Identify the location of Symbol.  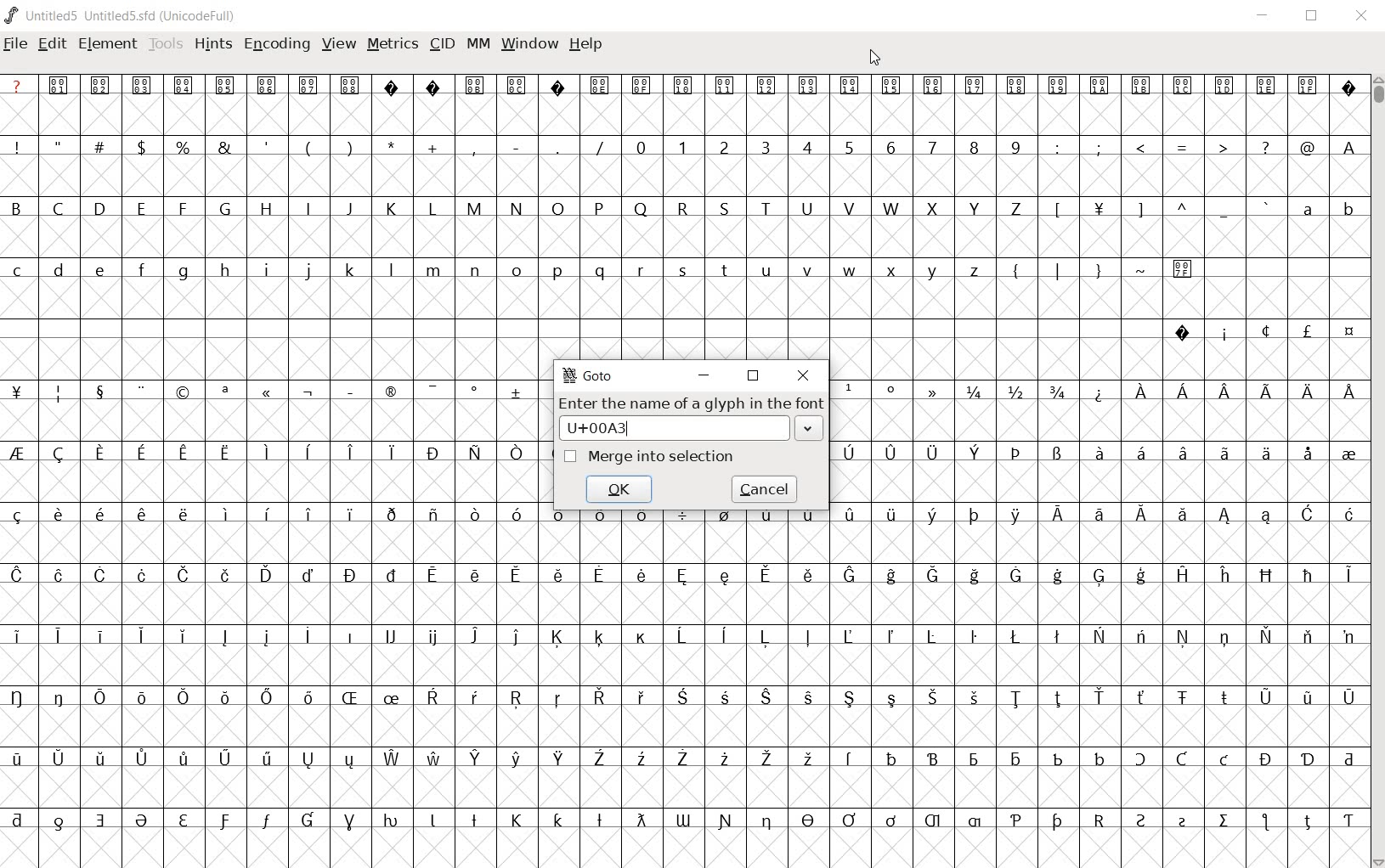
(726, 575).